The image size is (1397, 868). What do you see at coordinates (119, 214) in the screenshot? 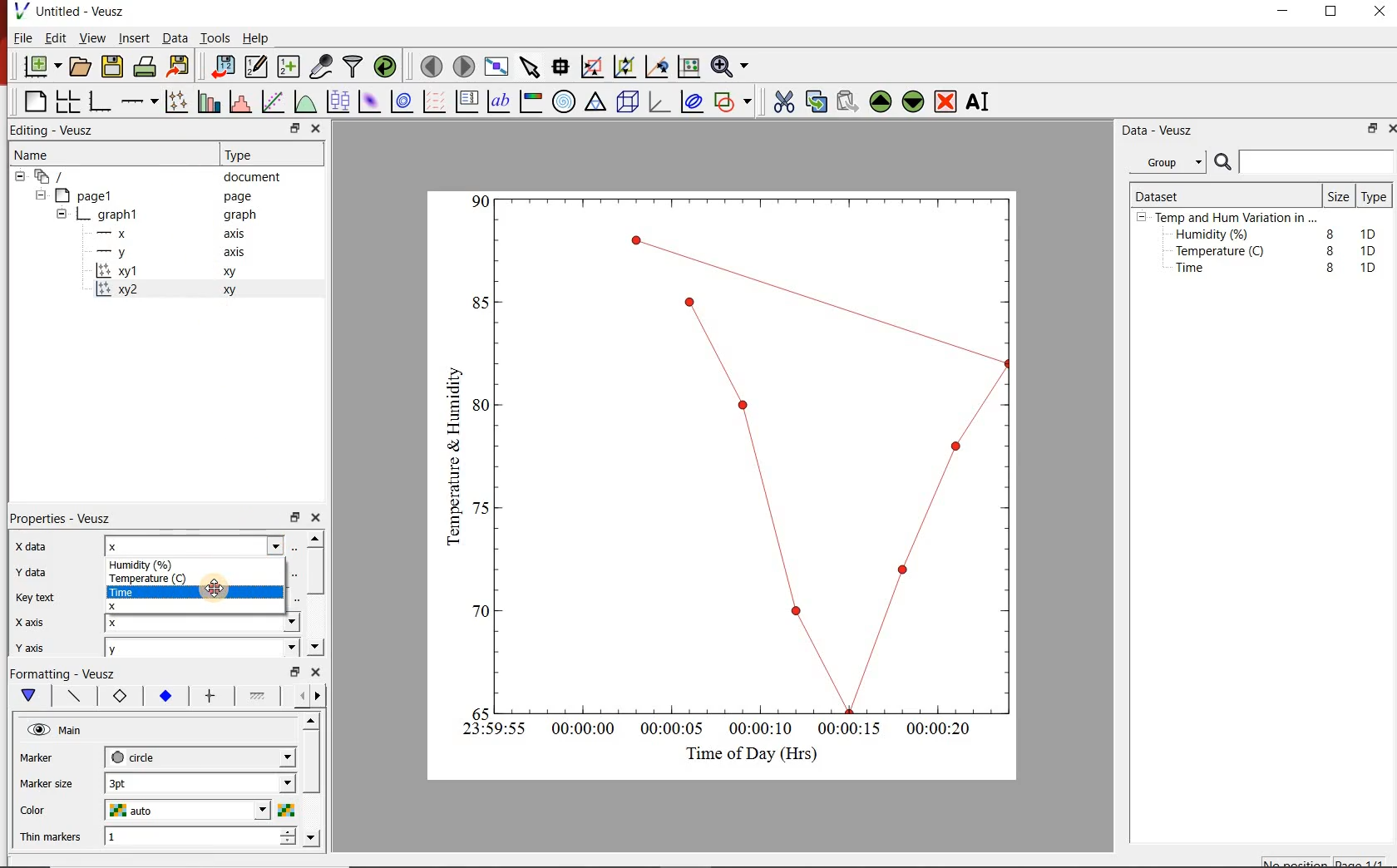
I see `graph` at bounding box center [119, 214].